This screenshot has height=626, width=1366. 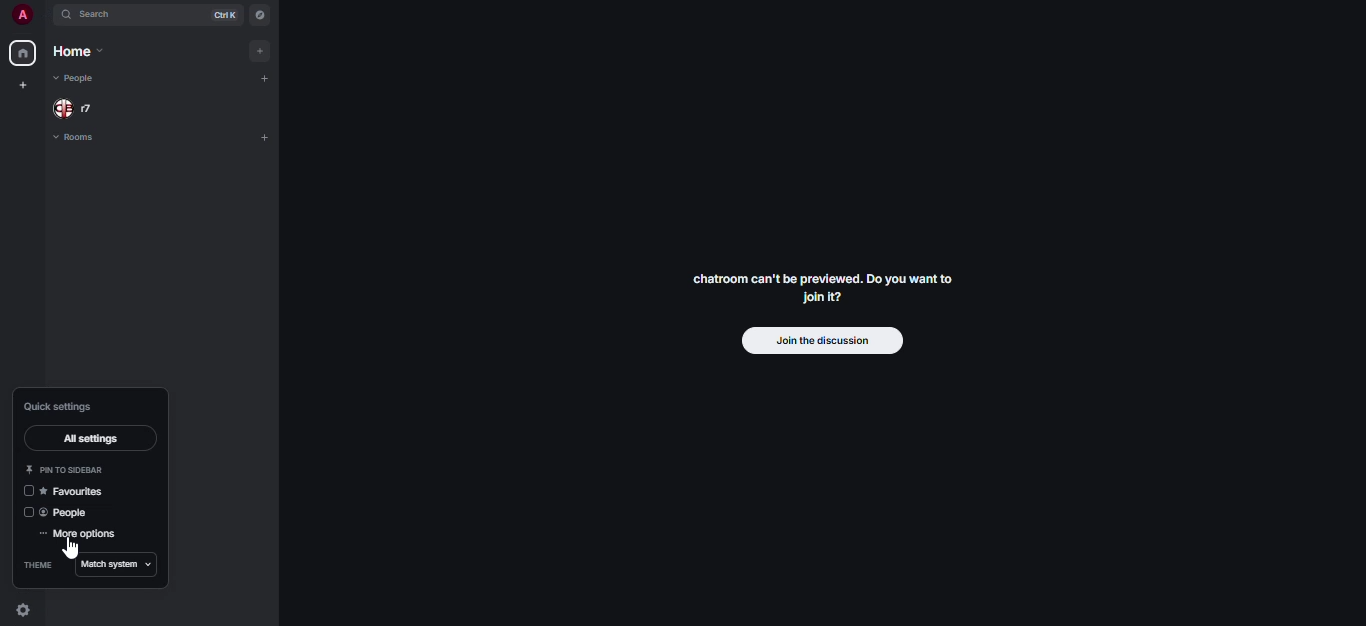 I want to click on add, so click(x=261, y=51).